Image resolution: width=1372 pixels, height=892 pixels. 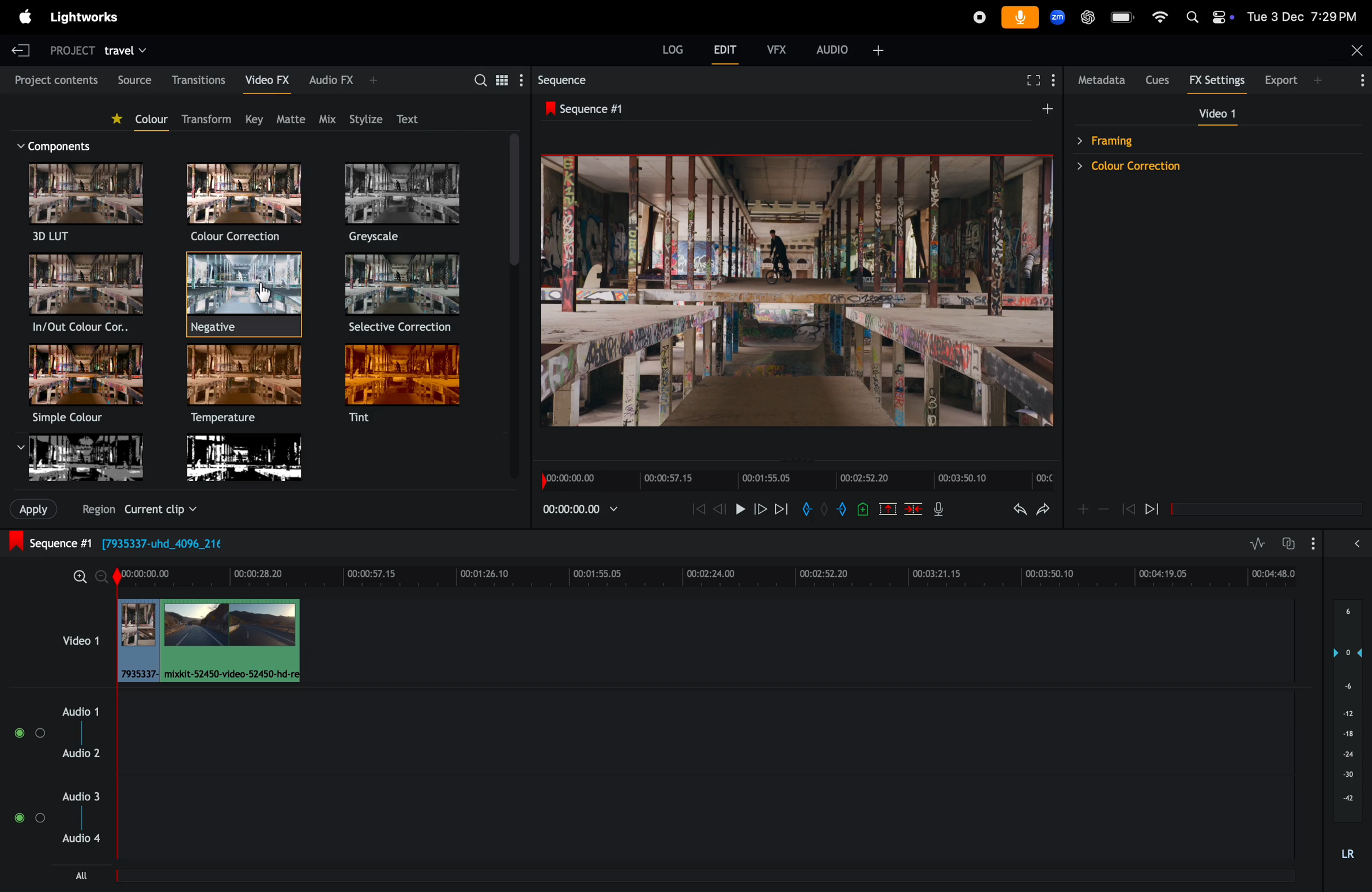 What do you see at coordinates (1060, 17) in the screenshot?
I see `Zoom` at bounding box center [1060, 17].